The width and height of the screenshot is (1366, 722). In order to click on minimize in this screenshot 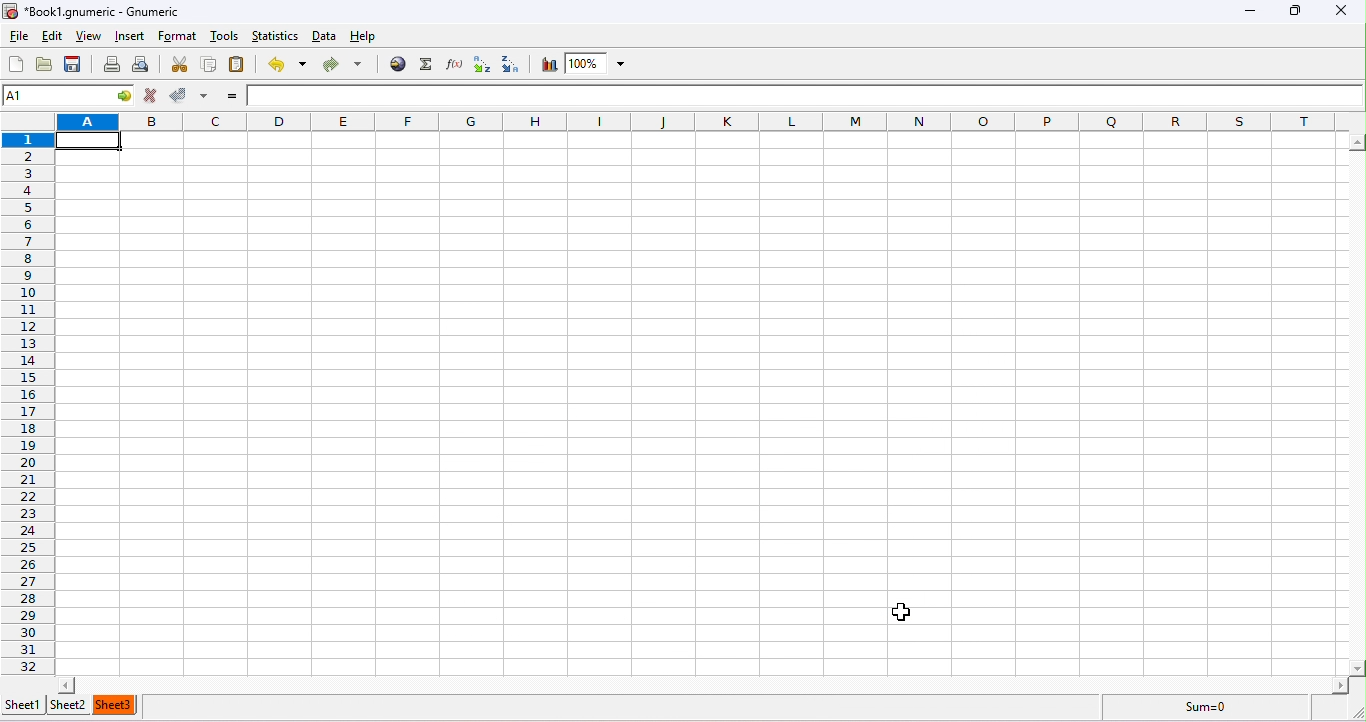, I will do `click(1251, 11)`.